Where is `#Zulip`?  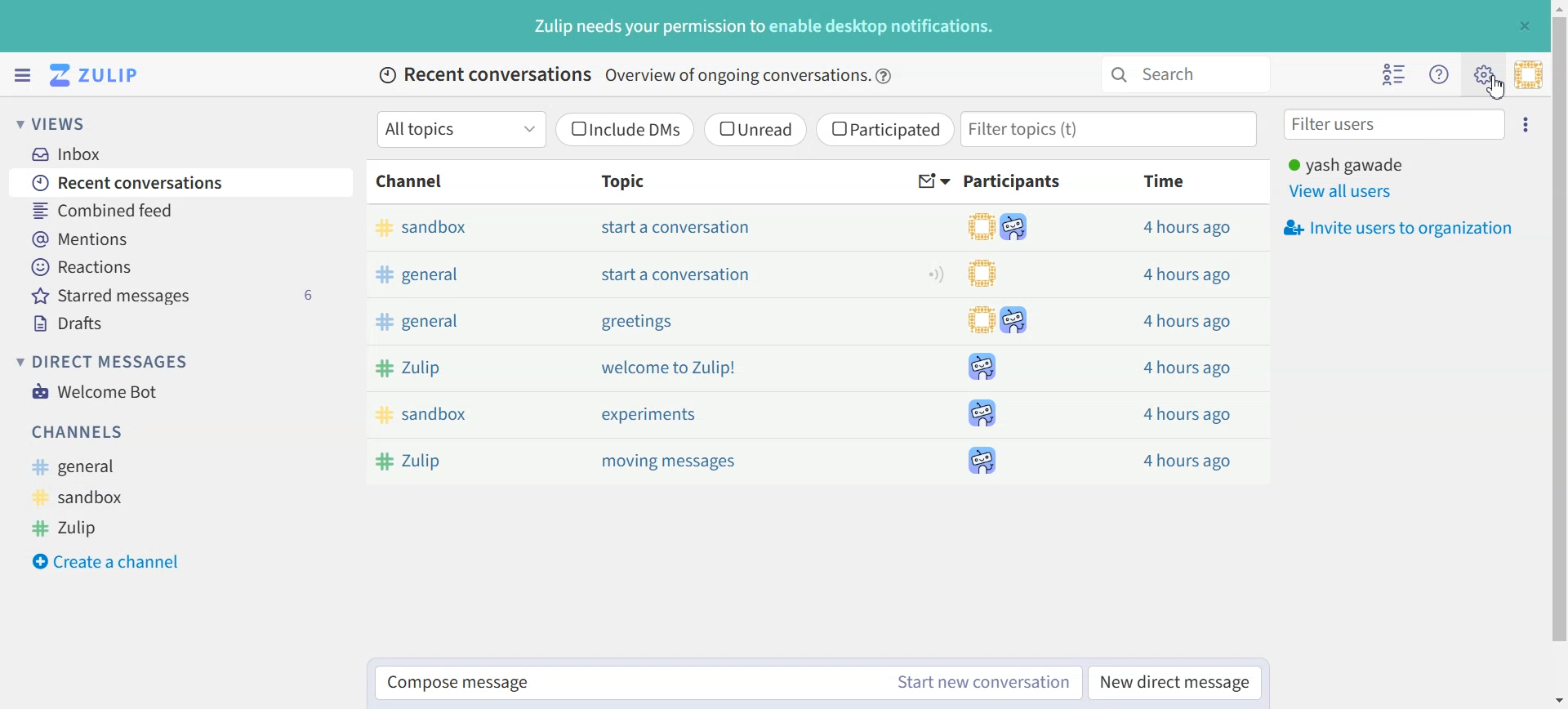 #Zulip is located at coordinates (462, 367).